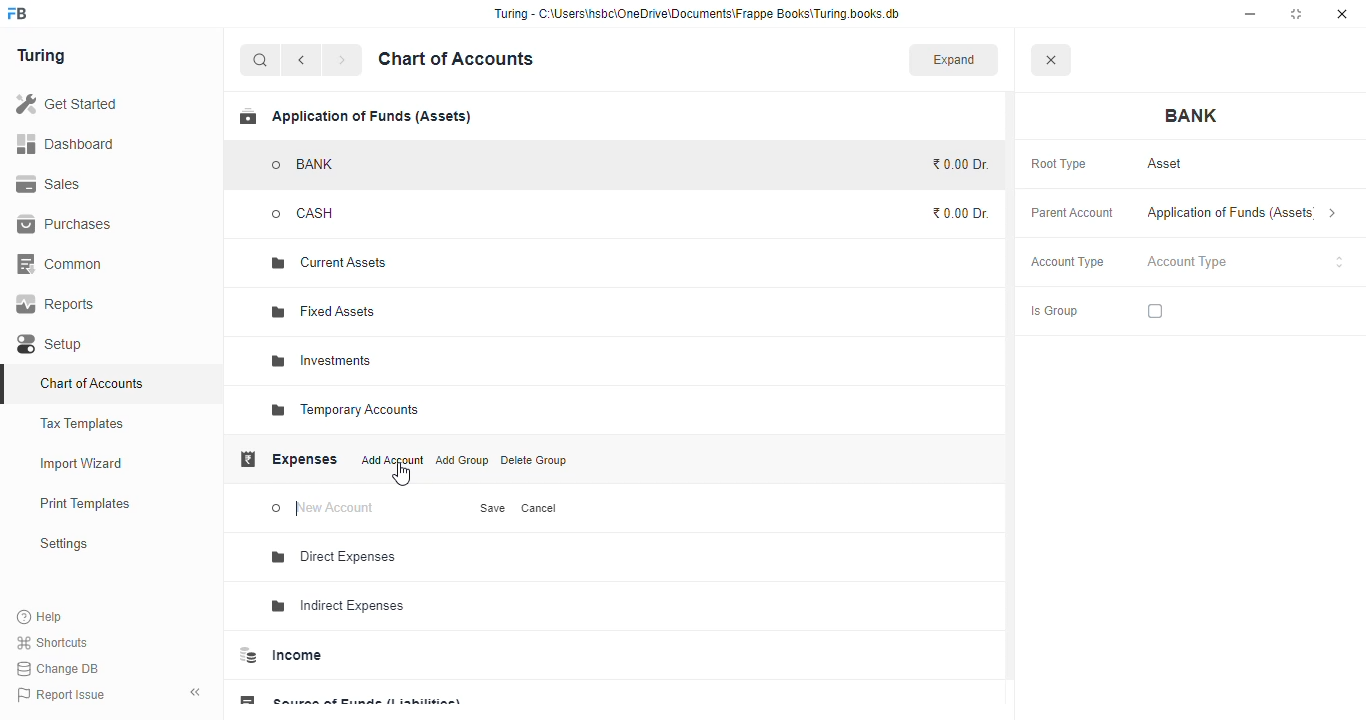  What do you see at coordinates (1246, 262) in the screenshot?
I see `account type` at bounding box center [1246, 262].